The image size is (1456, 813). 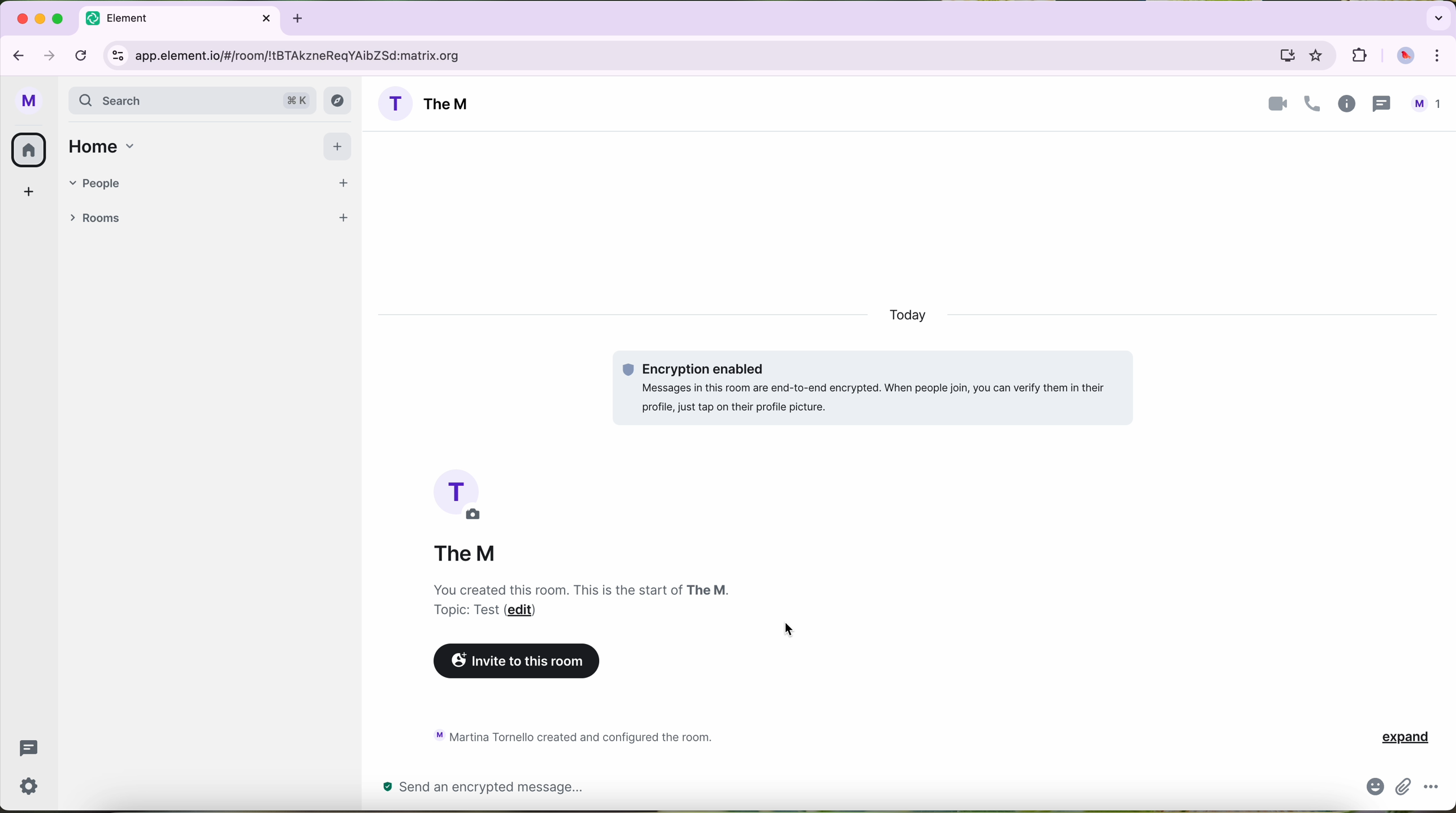 I want to click on profile picture, so click(x=1405, y=56).